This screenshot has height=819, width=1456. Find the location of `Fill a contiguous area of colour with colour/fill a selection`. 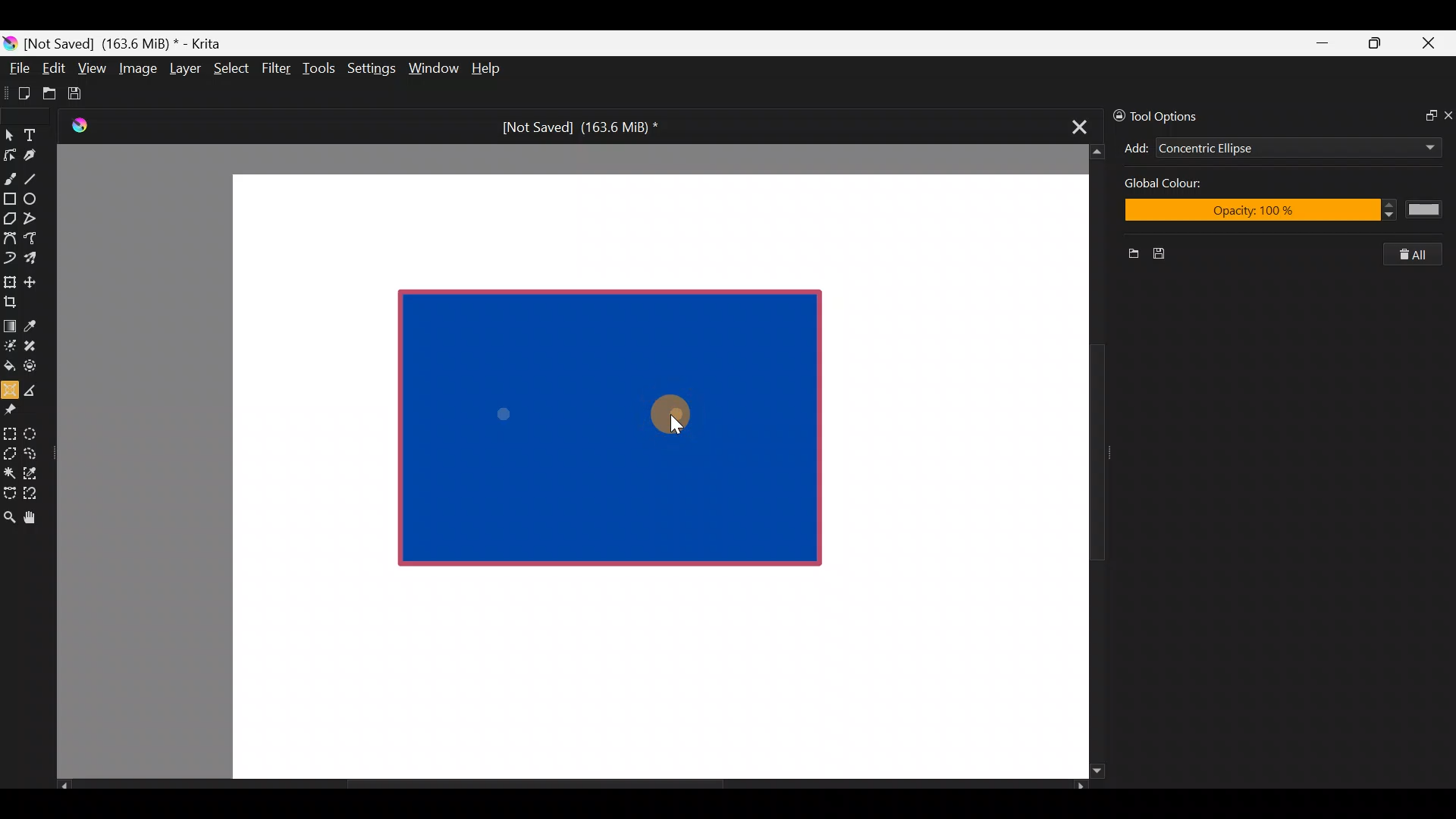

Fill a contiguous area of colour with colour/fill a selection is located at coordinates (9, 362).